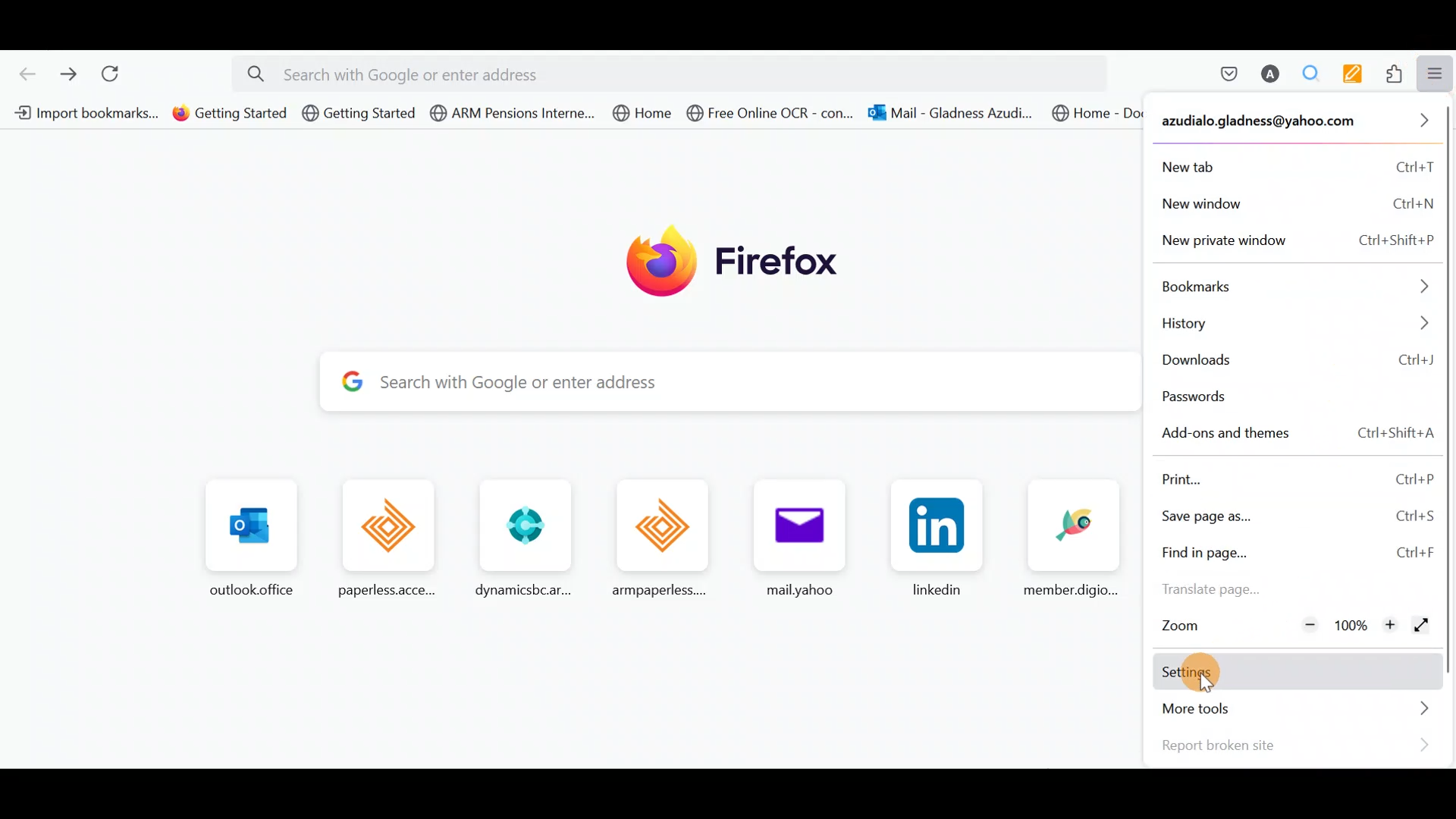 The height and width of the screenshot is (819, 1456). I want to click on History, so click(1295, 324).